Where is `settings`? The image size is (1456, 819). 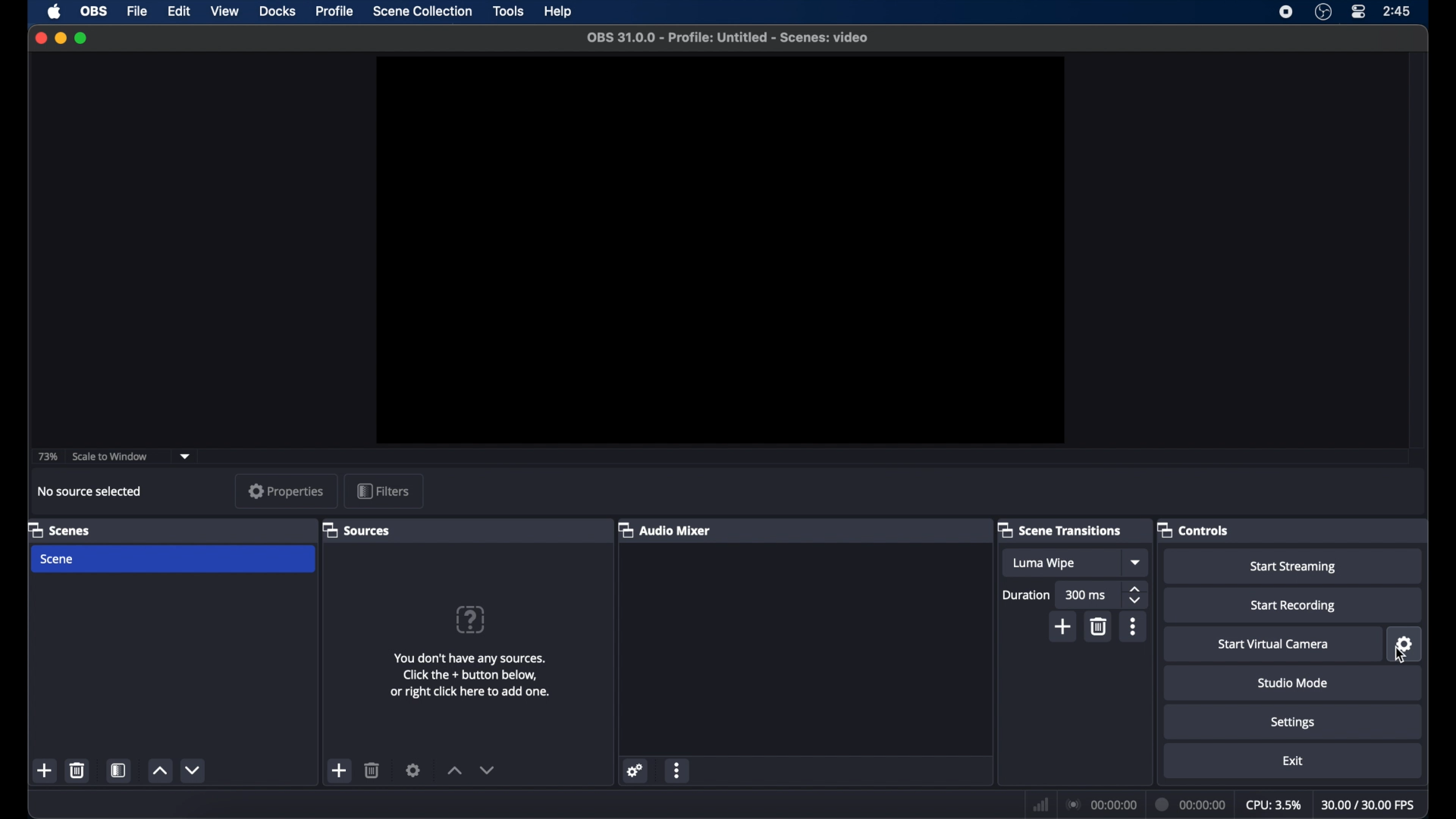 settings is located at coordinates (414, 769).